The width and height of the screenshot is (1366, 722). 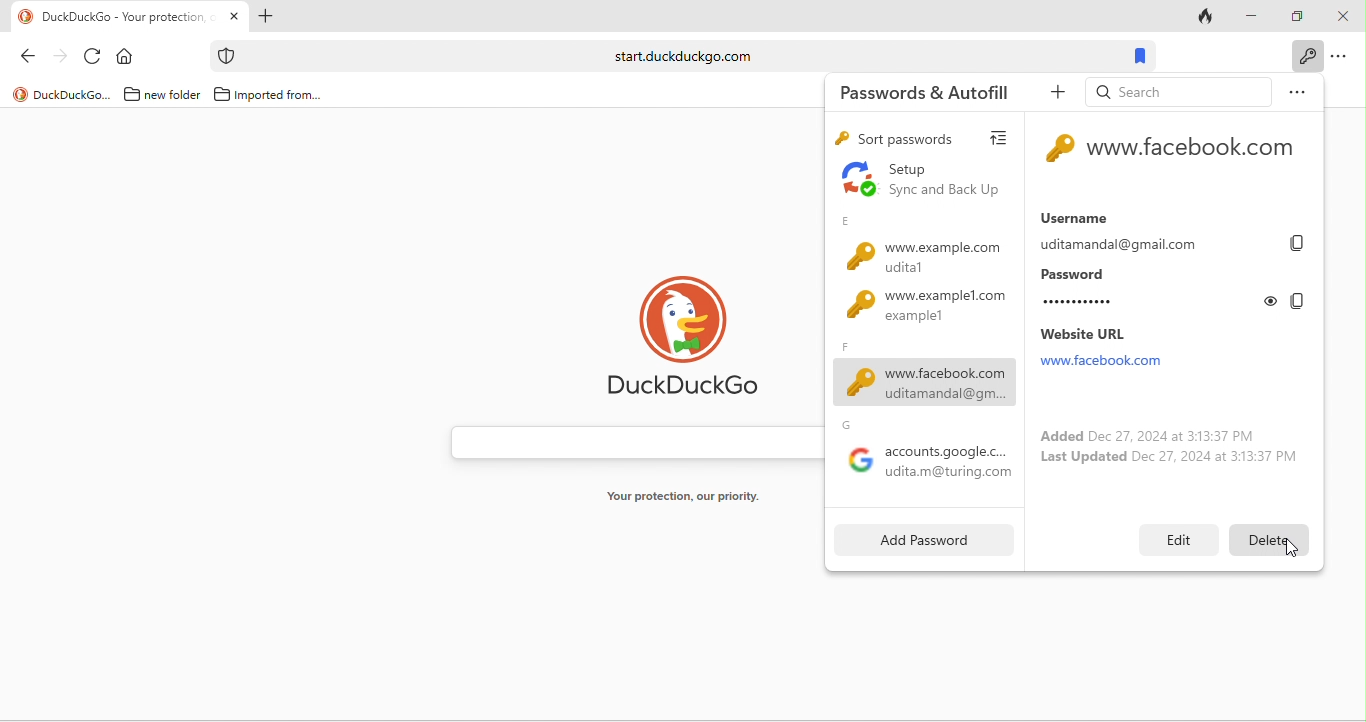 I want to click on copy, so click(x=1296, y=301).